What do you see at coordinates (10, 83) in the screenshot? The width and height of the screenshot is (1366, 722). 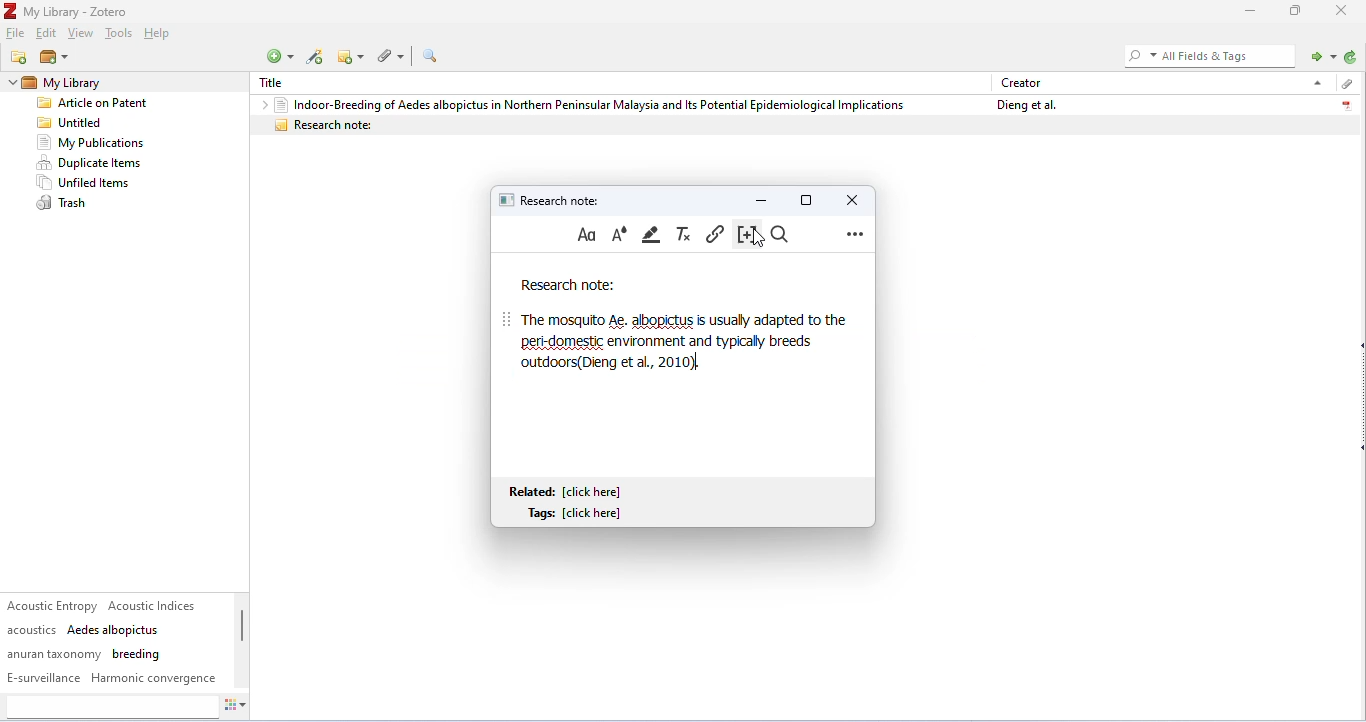 I see `drop down` at bounding box center [10, 83].